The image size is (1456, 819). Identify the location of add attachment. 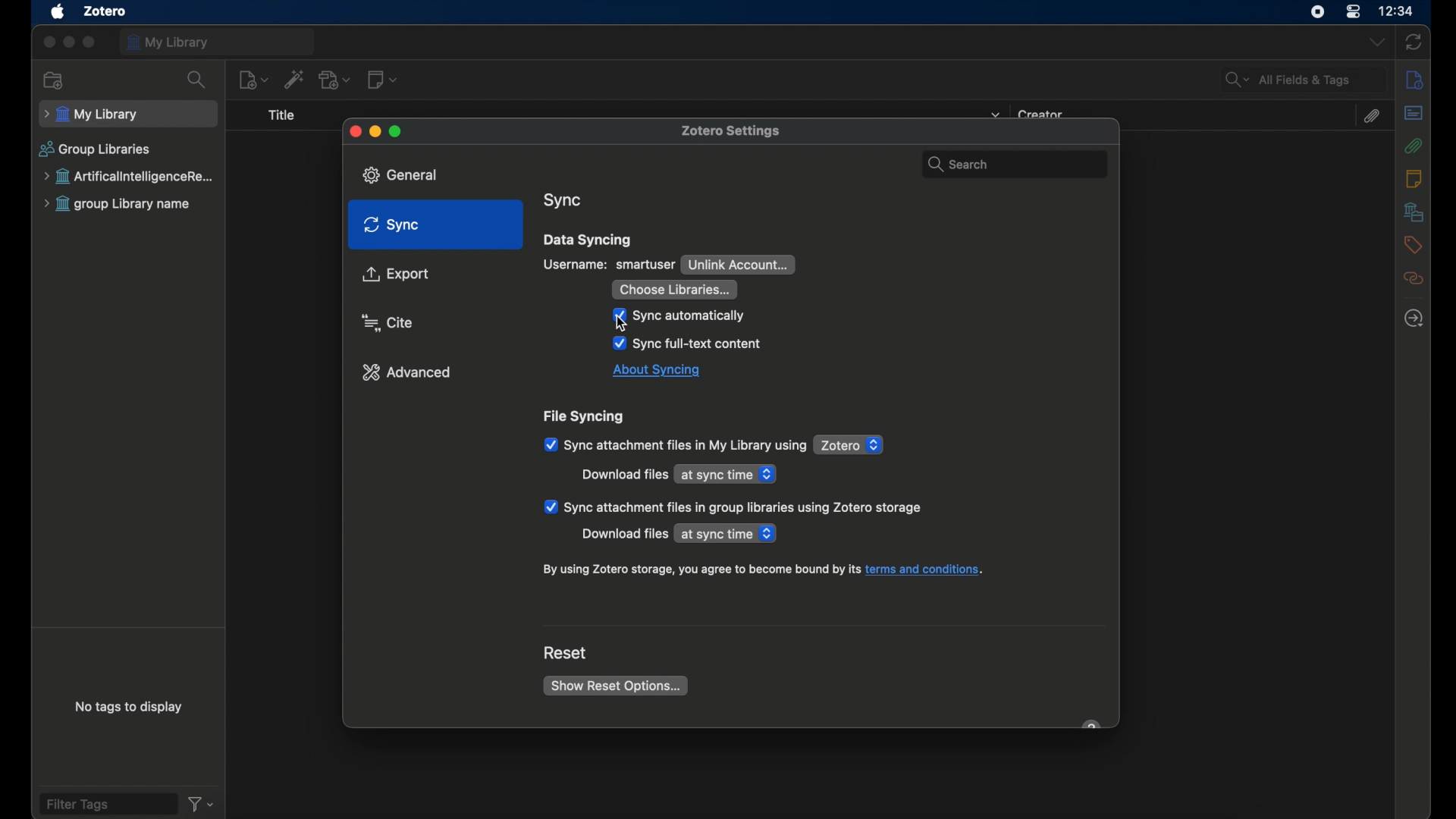
(336, 80).